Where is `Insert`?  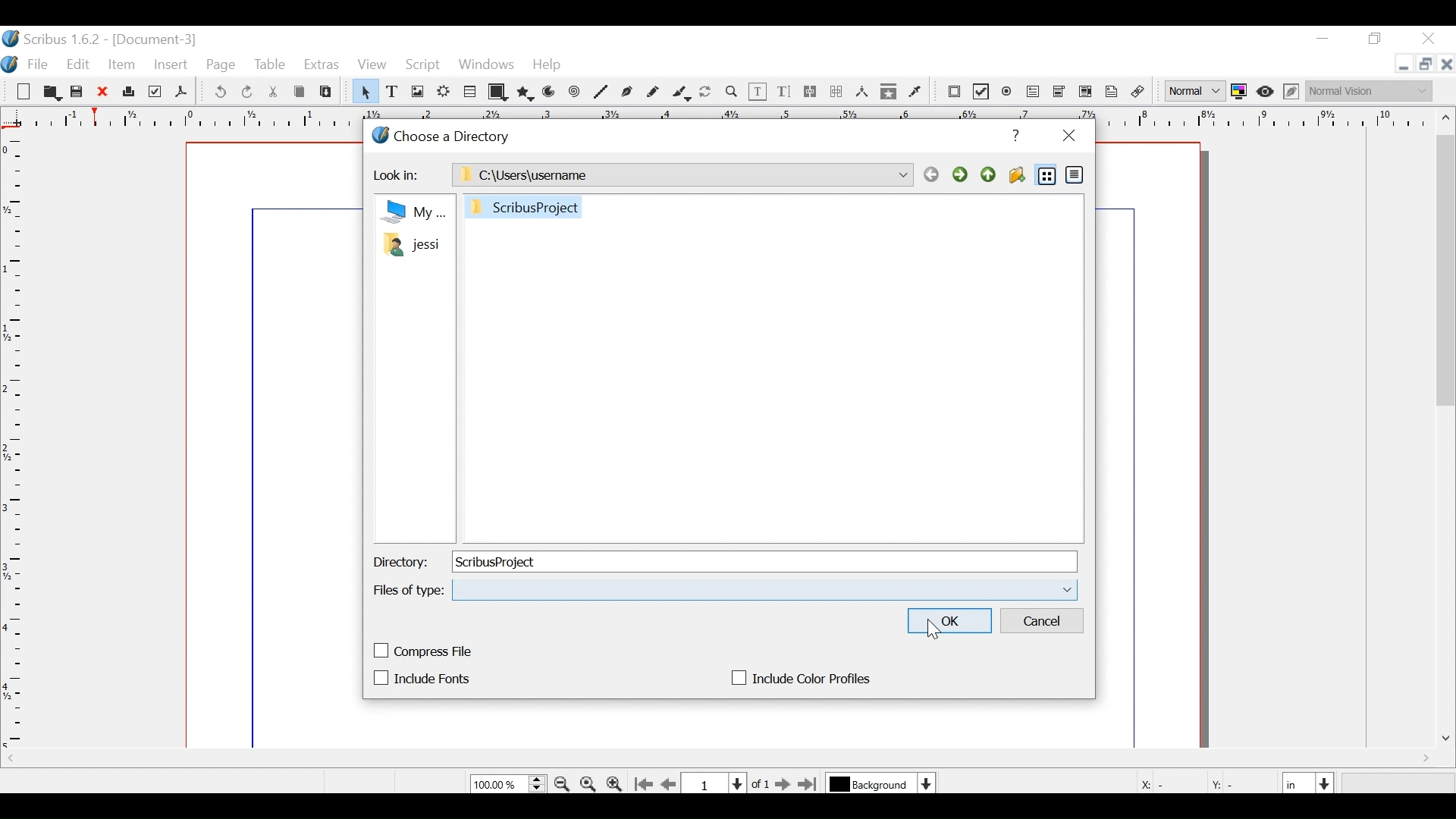
Insert is located at coordinates (170, 65).